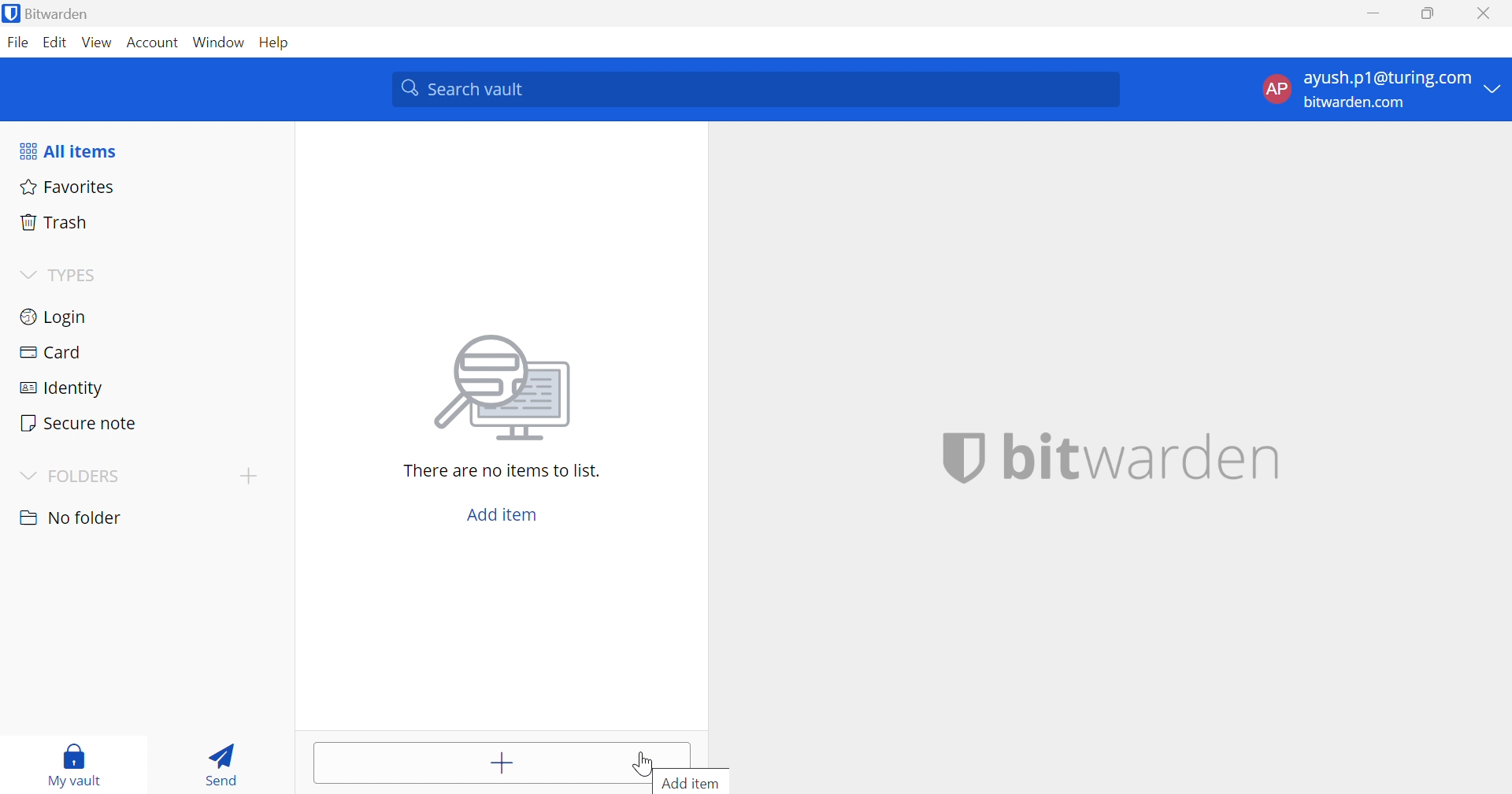  Describe the element at coordinates (759, 90) in the screenshot. I see `Search vault` at that location.